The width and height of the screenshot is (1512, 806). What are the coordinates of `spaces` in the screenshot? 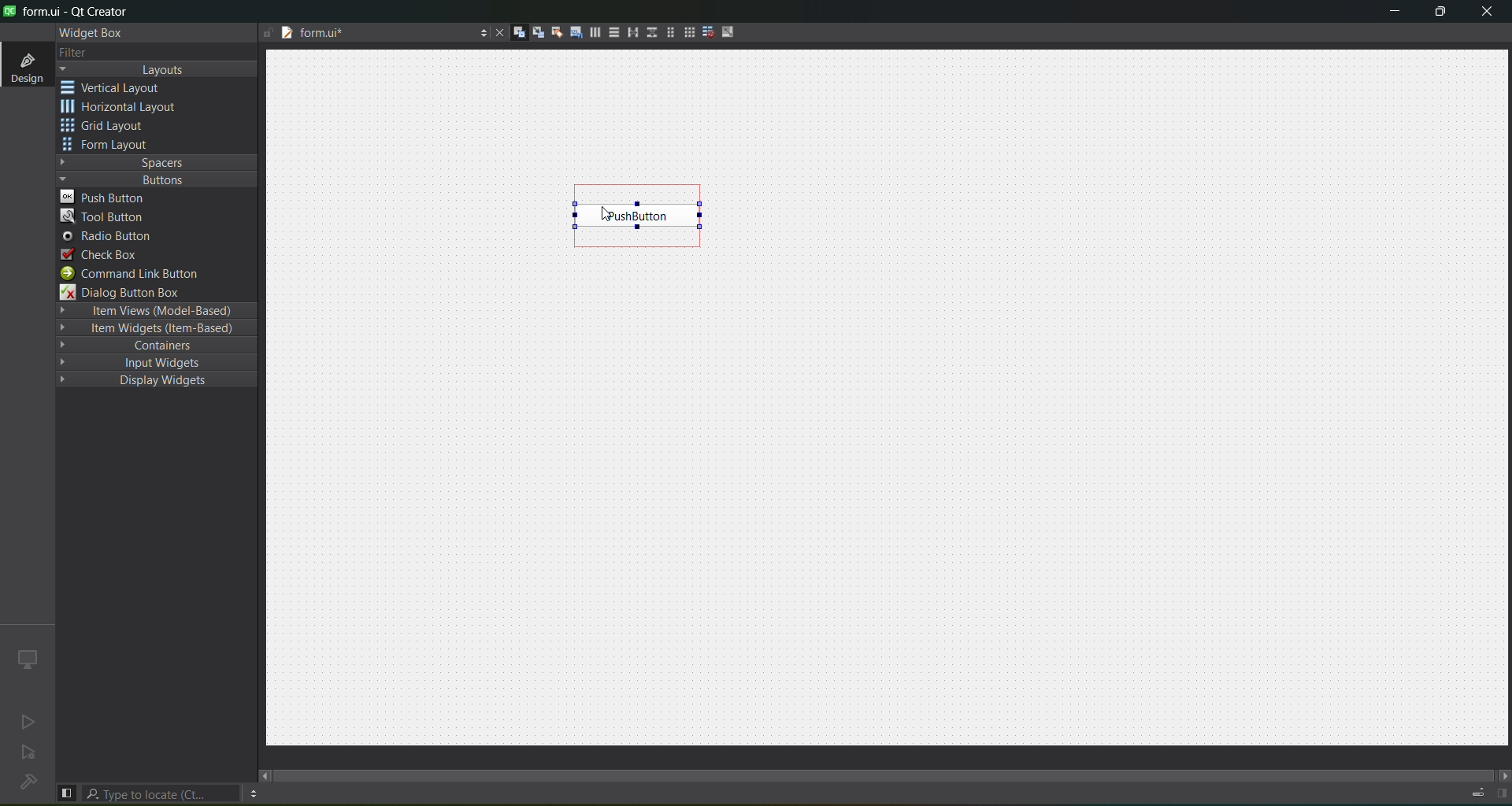 It's located at (157, 161).